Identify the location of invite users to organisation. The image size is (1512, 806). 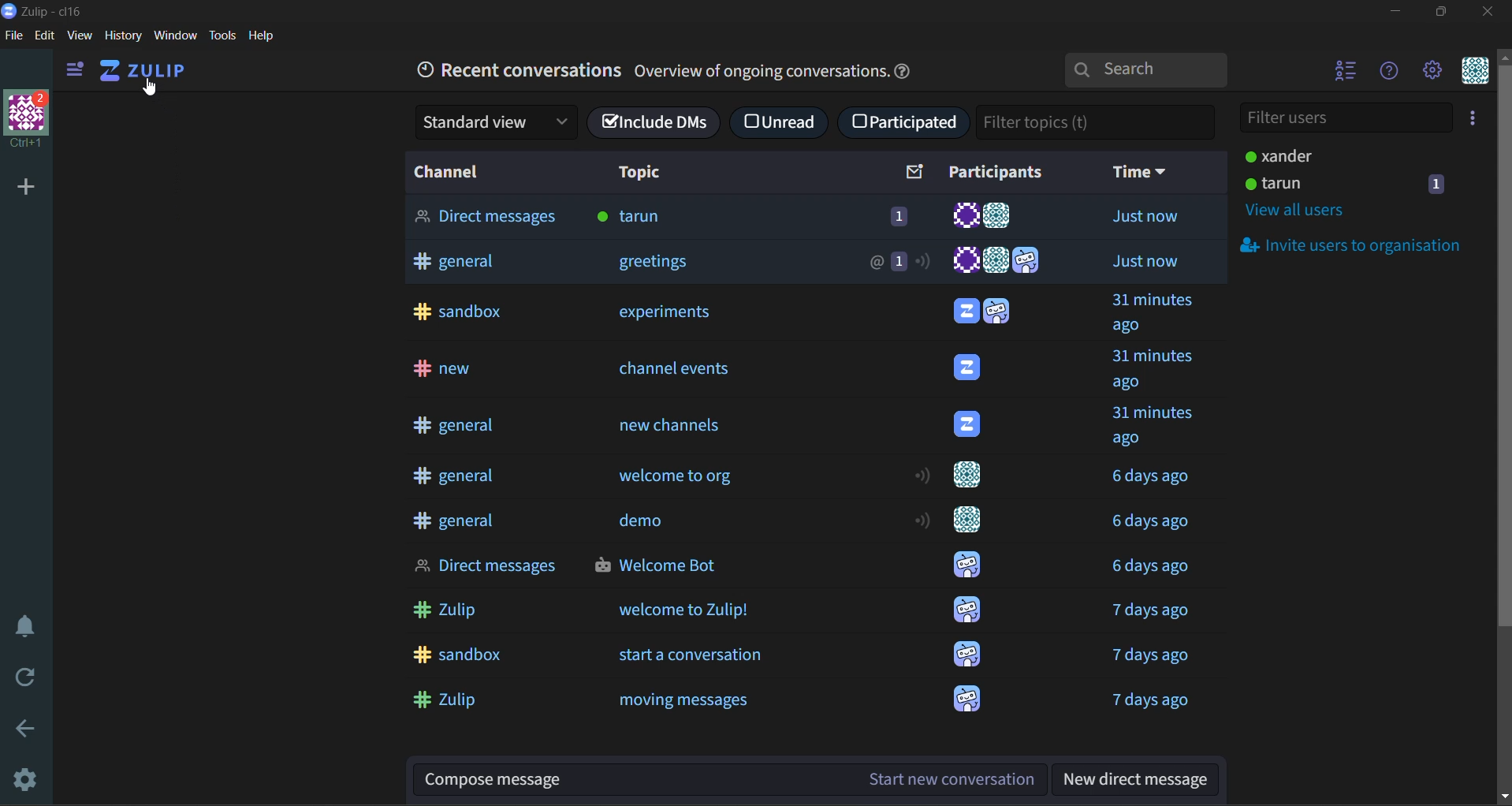
(1477, 118).